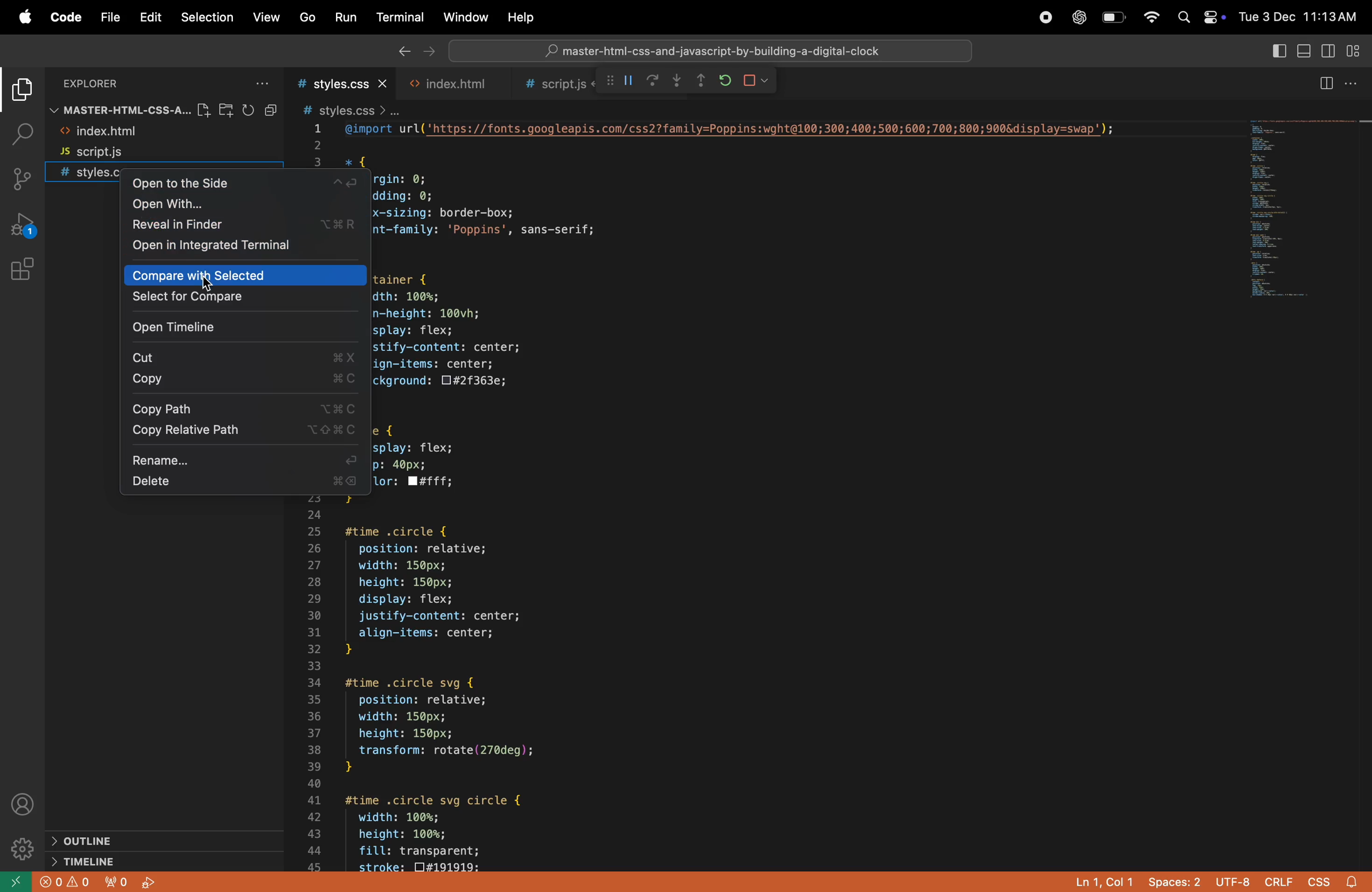 This screenshot has width=1372, height=892. I want to click on html file, so click(448, 85).